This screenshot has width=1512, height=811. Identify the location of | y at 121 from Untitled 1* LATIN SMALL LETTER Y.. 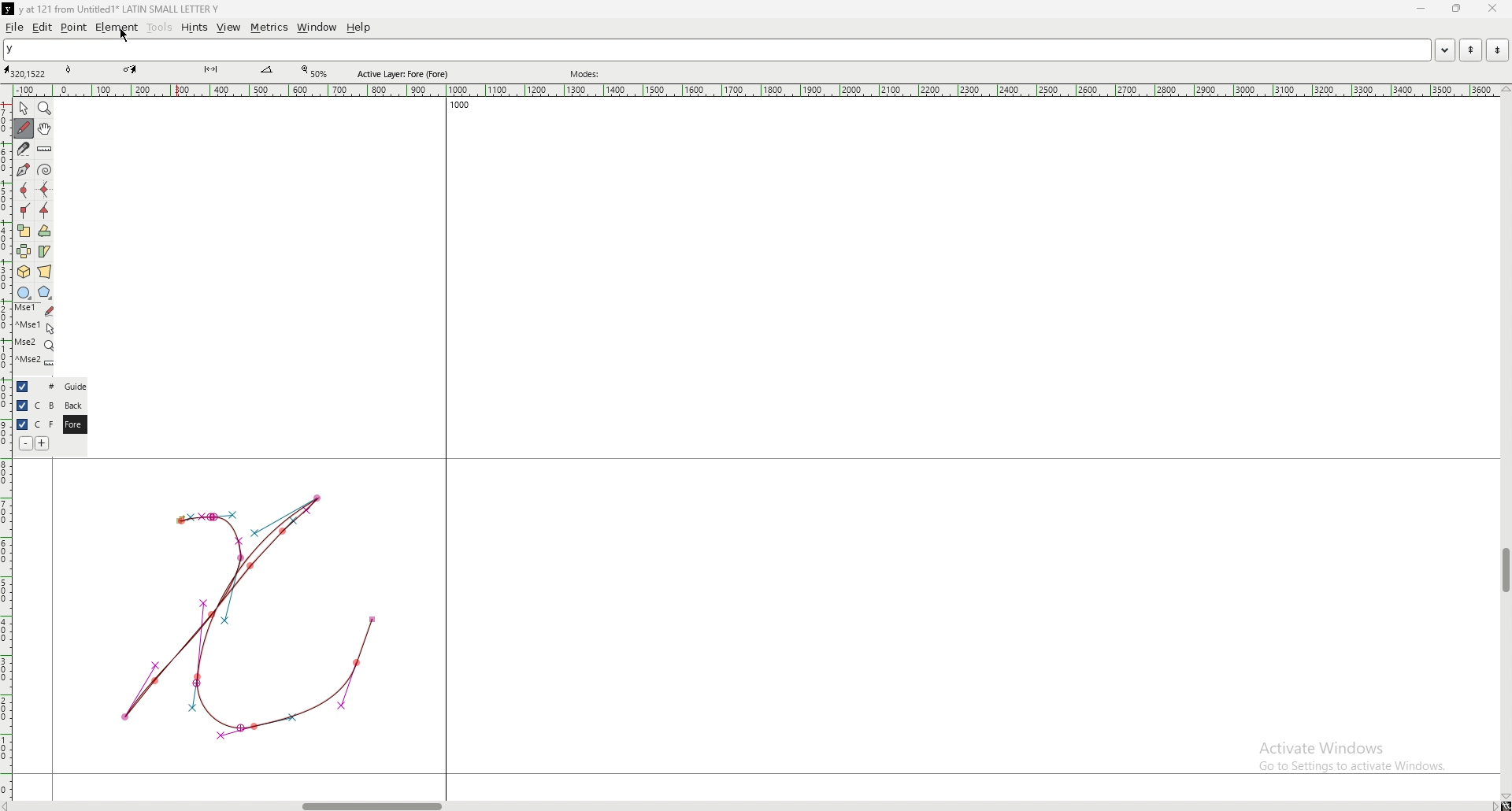
(124, 9).